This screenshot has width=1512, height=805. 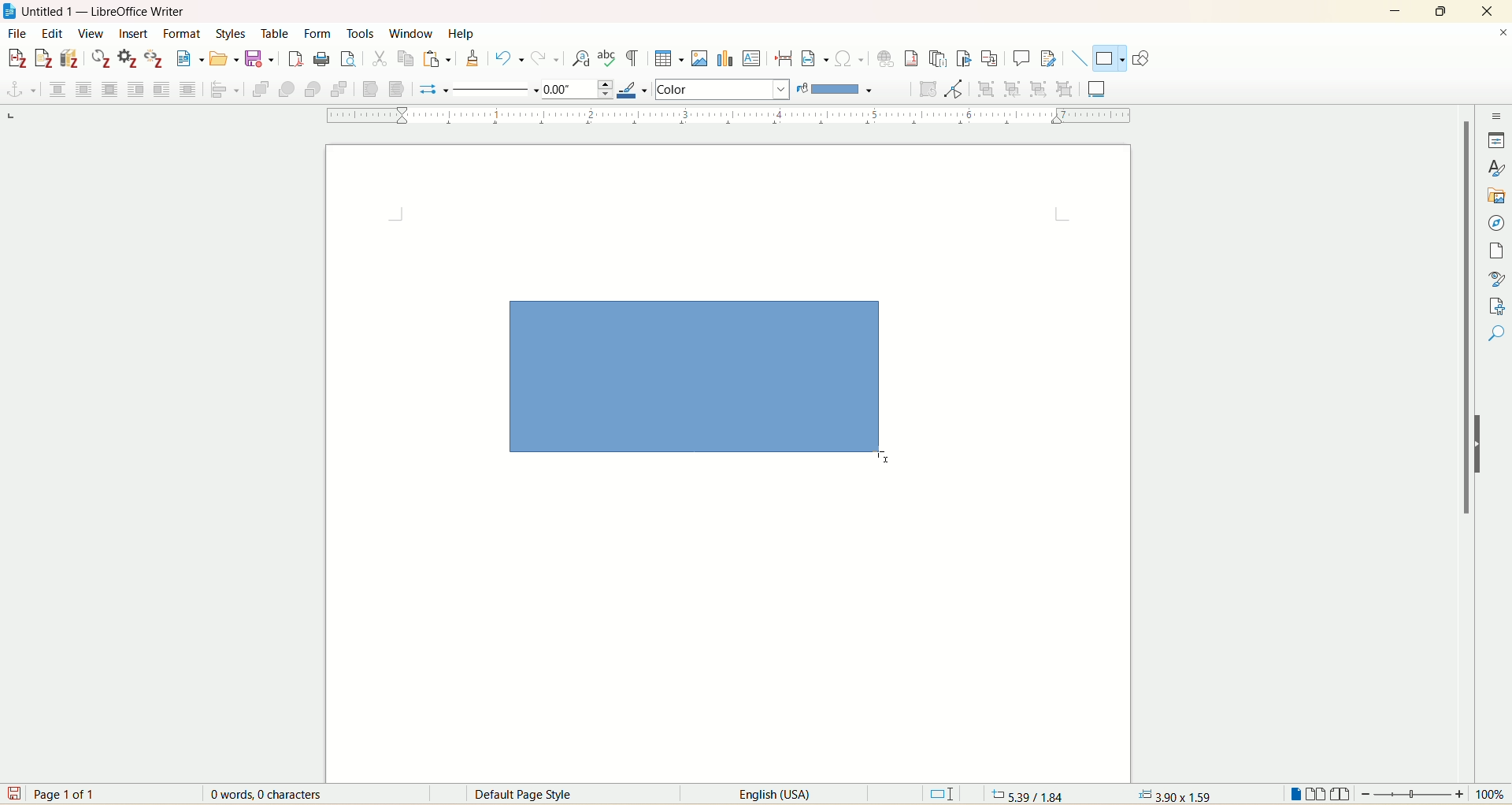 What do you see at coordinates (15, 59) in the screenshot?
I see `add citation` at bounding box center [15, 59].